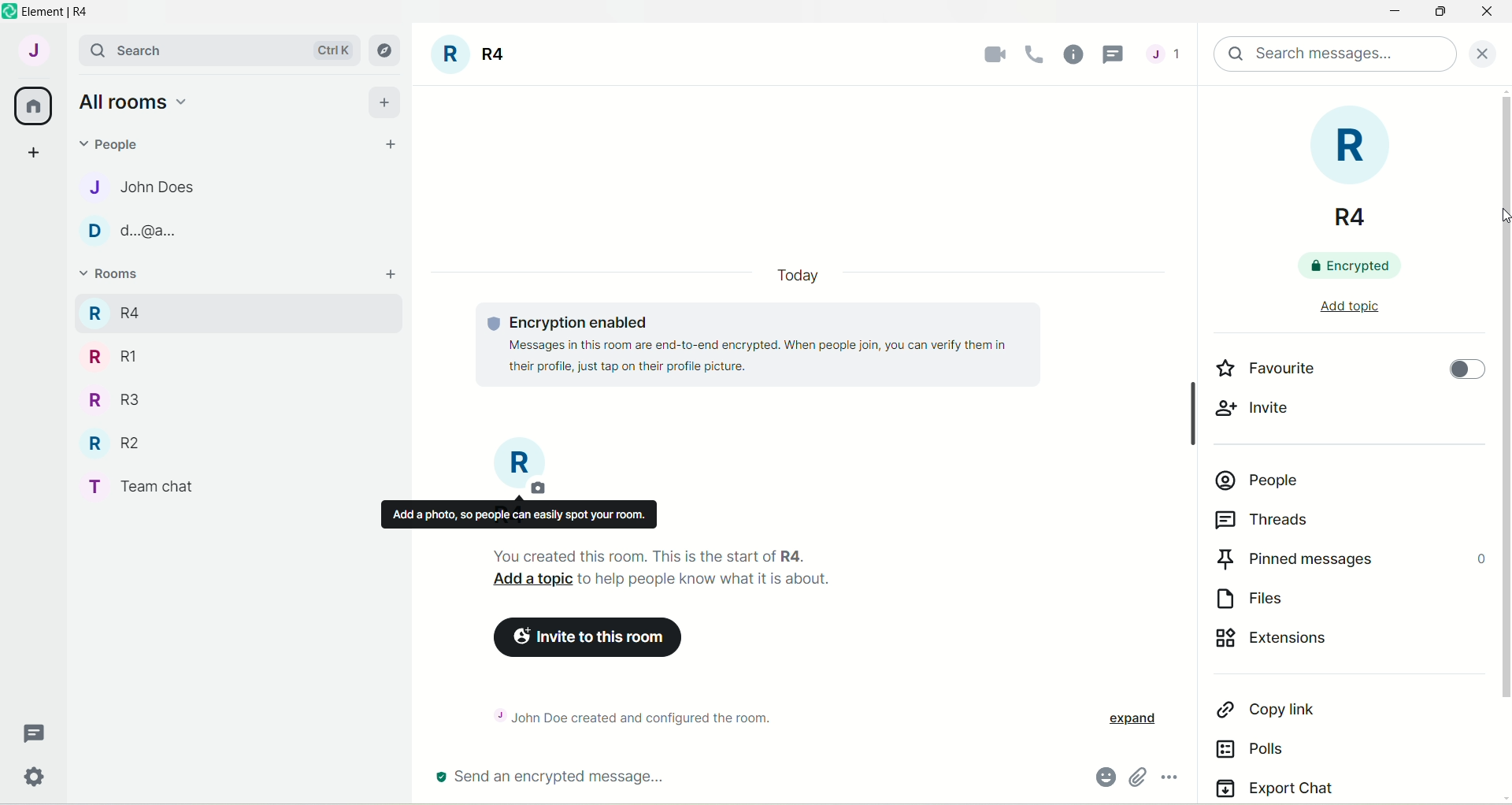 Image resolution: width=1512 pixels, height=805 pixels. Describe the element at coordinates (1131, 720) in the screenshot. I see `expand` at that location.